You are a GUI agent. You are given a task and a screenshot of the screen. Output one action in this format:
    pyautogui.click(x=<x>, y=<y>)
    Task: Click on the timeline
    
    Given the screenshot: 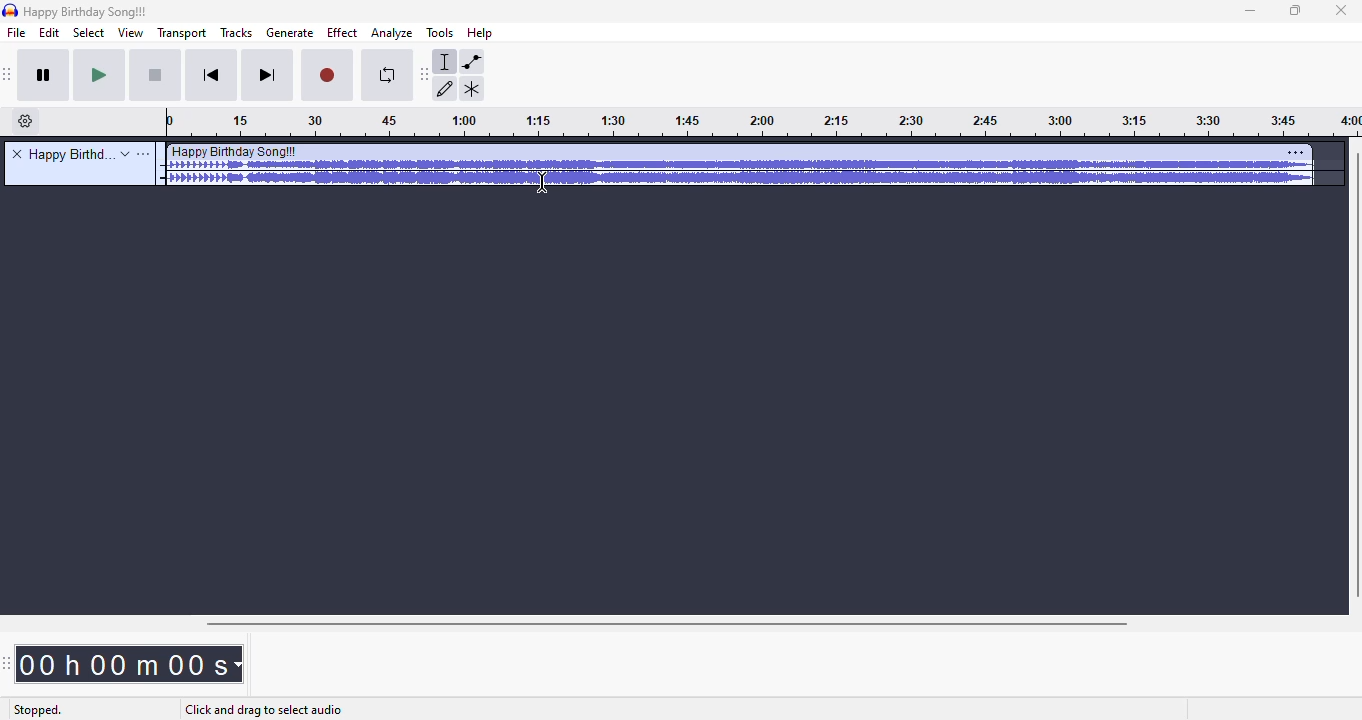 What is the action you would take?
    pyautogui.click(x=763, y=124)
    